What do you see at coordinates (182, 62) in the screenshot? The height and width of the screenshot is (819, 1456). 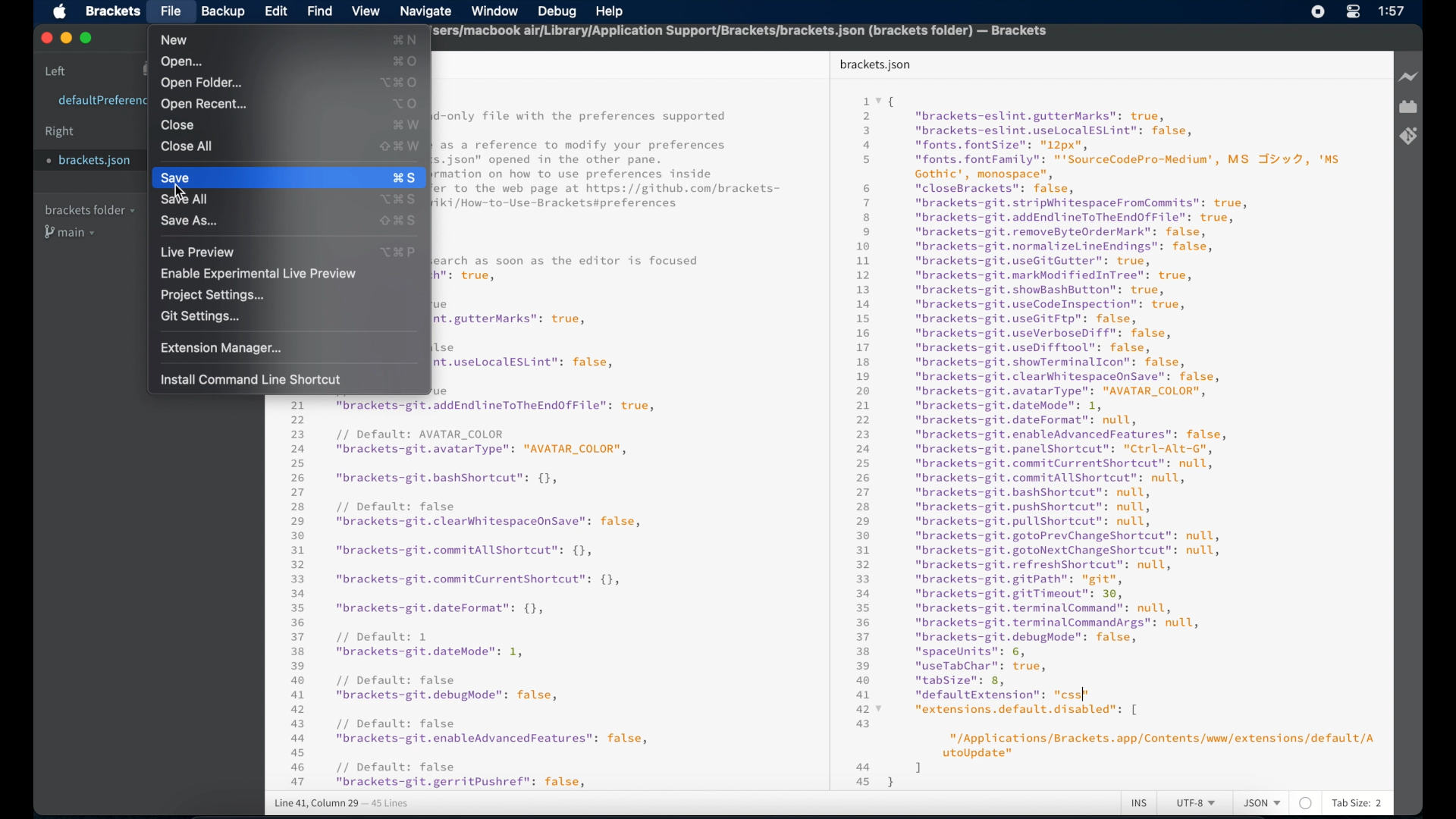 I see `open` at bounding box center [182, 62].